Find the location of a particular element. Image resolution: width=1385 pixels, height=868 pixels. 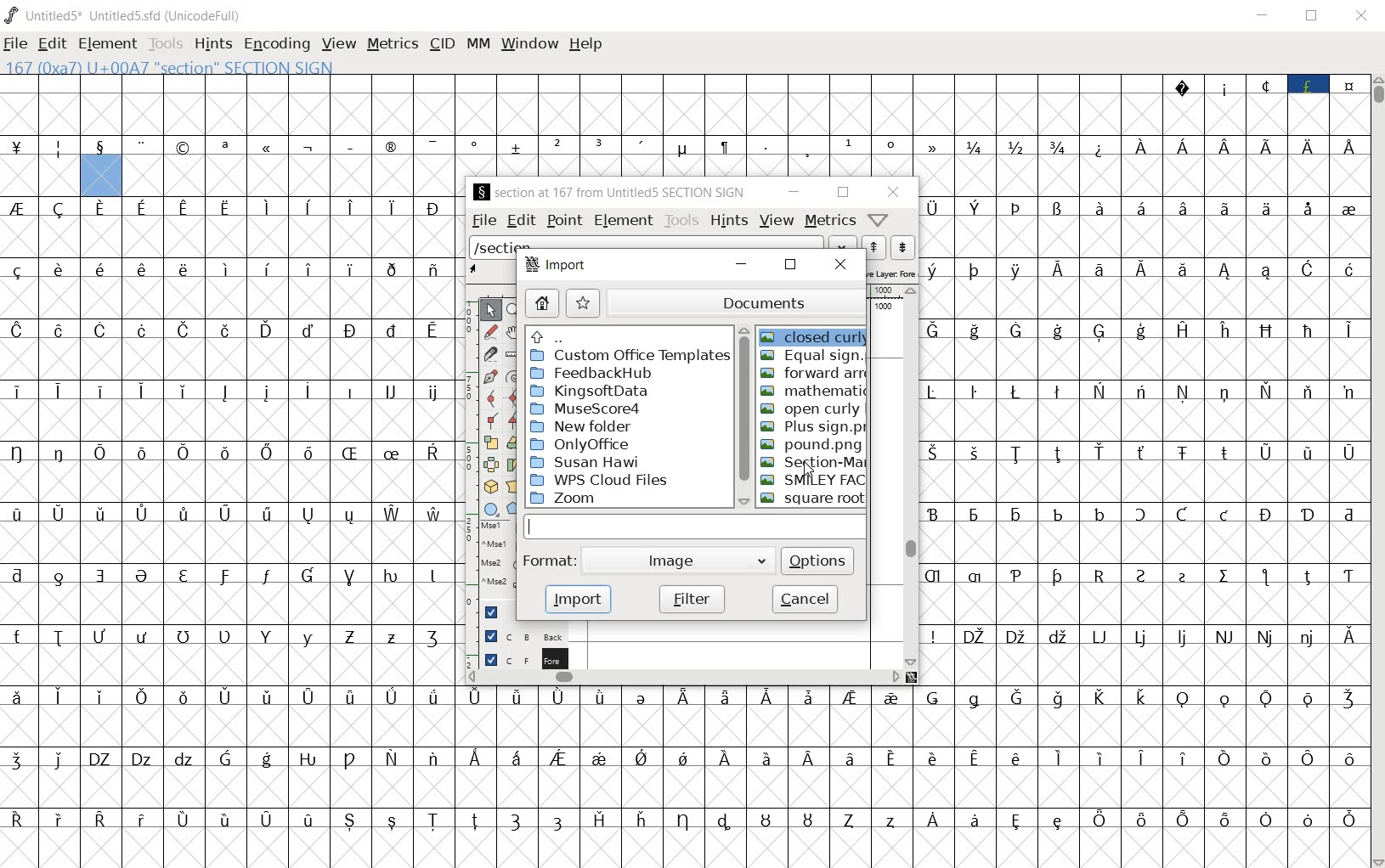

special letters is located at coordinates (1144, 390).